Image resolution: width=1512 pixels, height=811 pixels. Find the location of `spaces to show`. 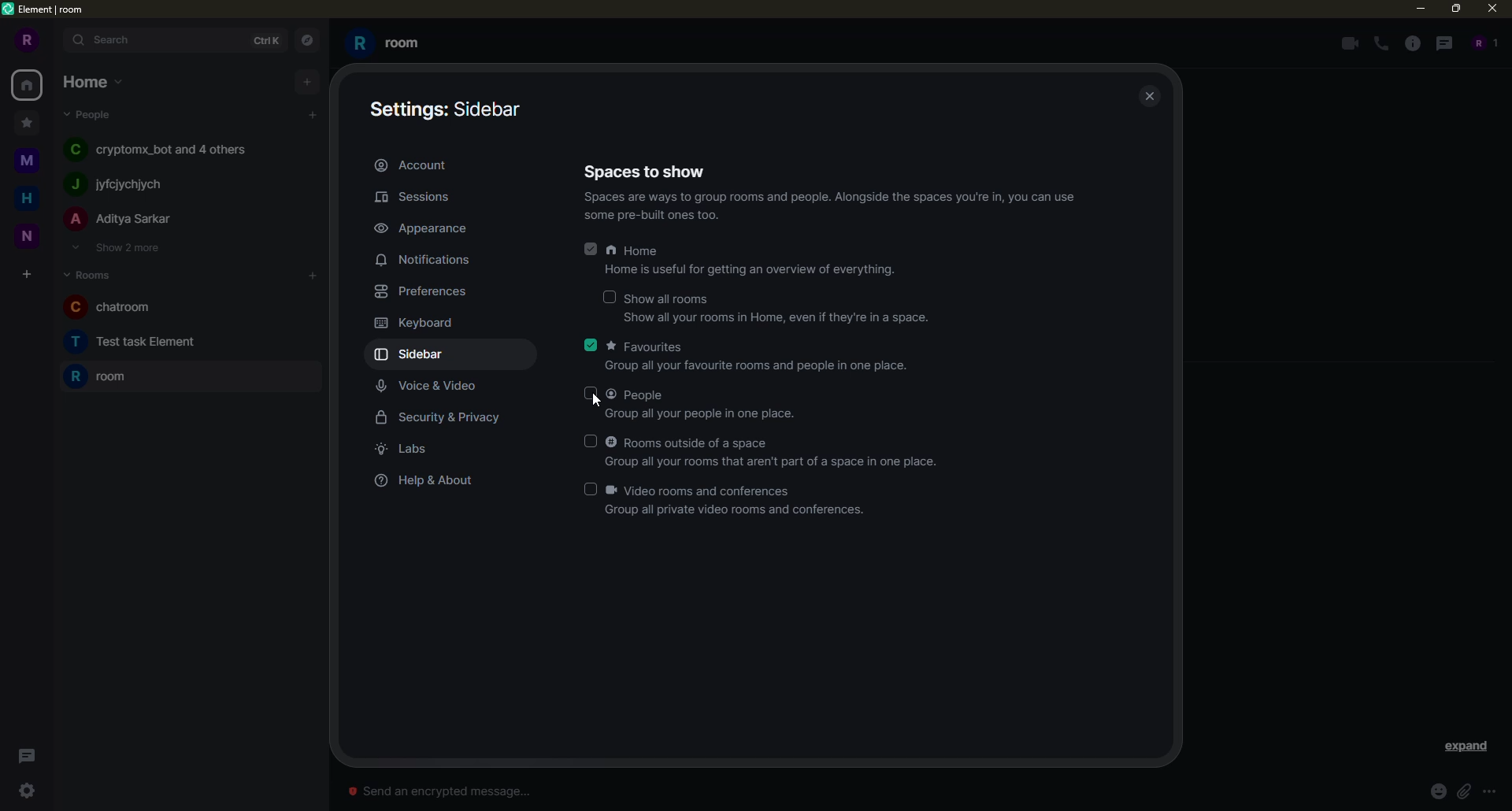

spaces to show is located at coordinates (645, 170).